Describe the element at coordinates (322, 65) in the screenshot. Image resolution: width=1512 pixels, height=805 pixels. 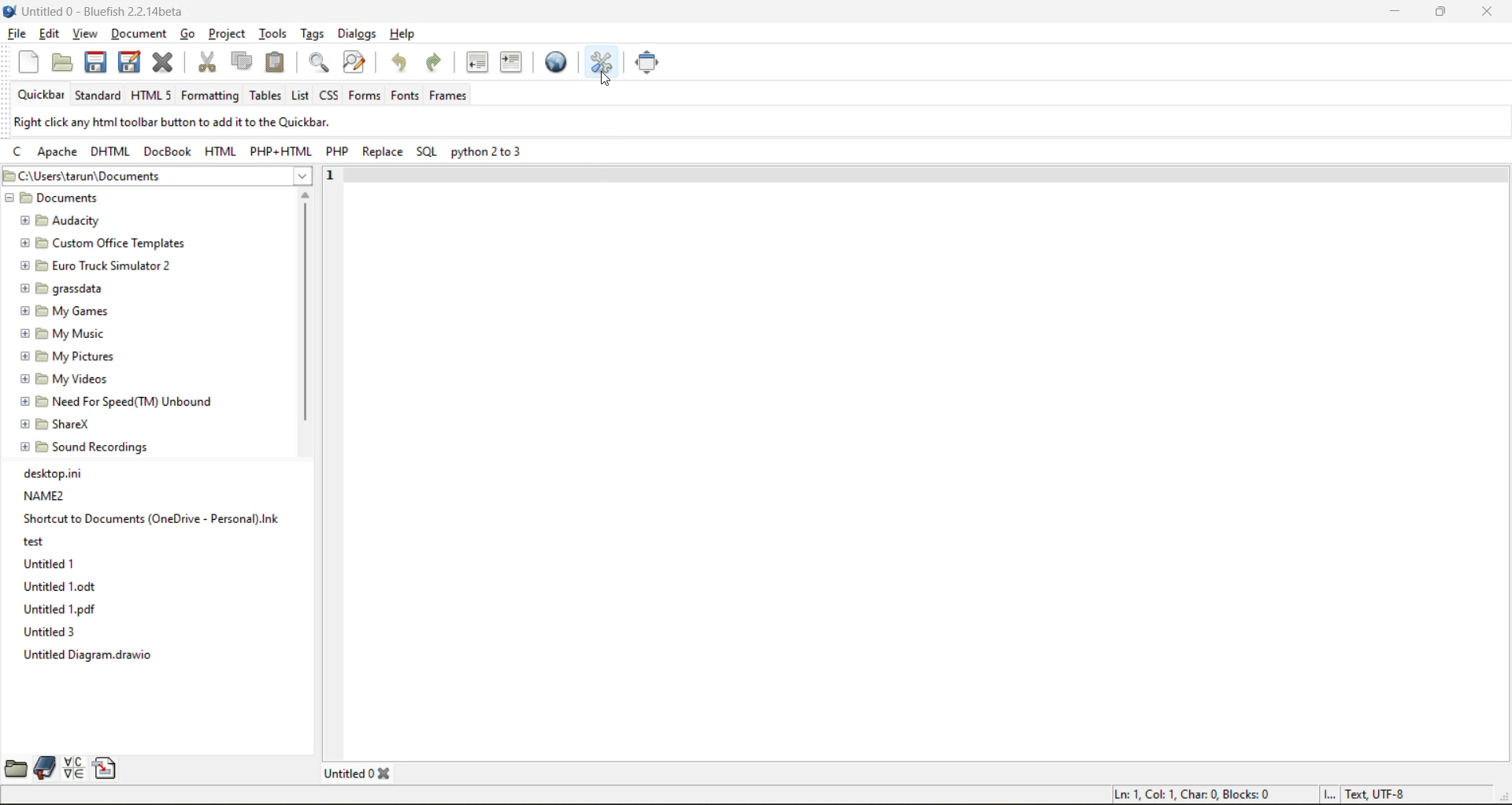
I see `find` at that location.